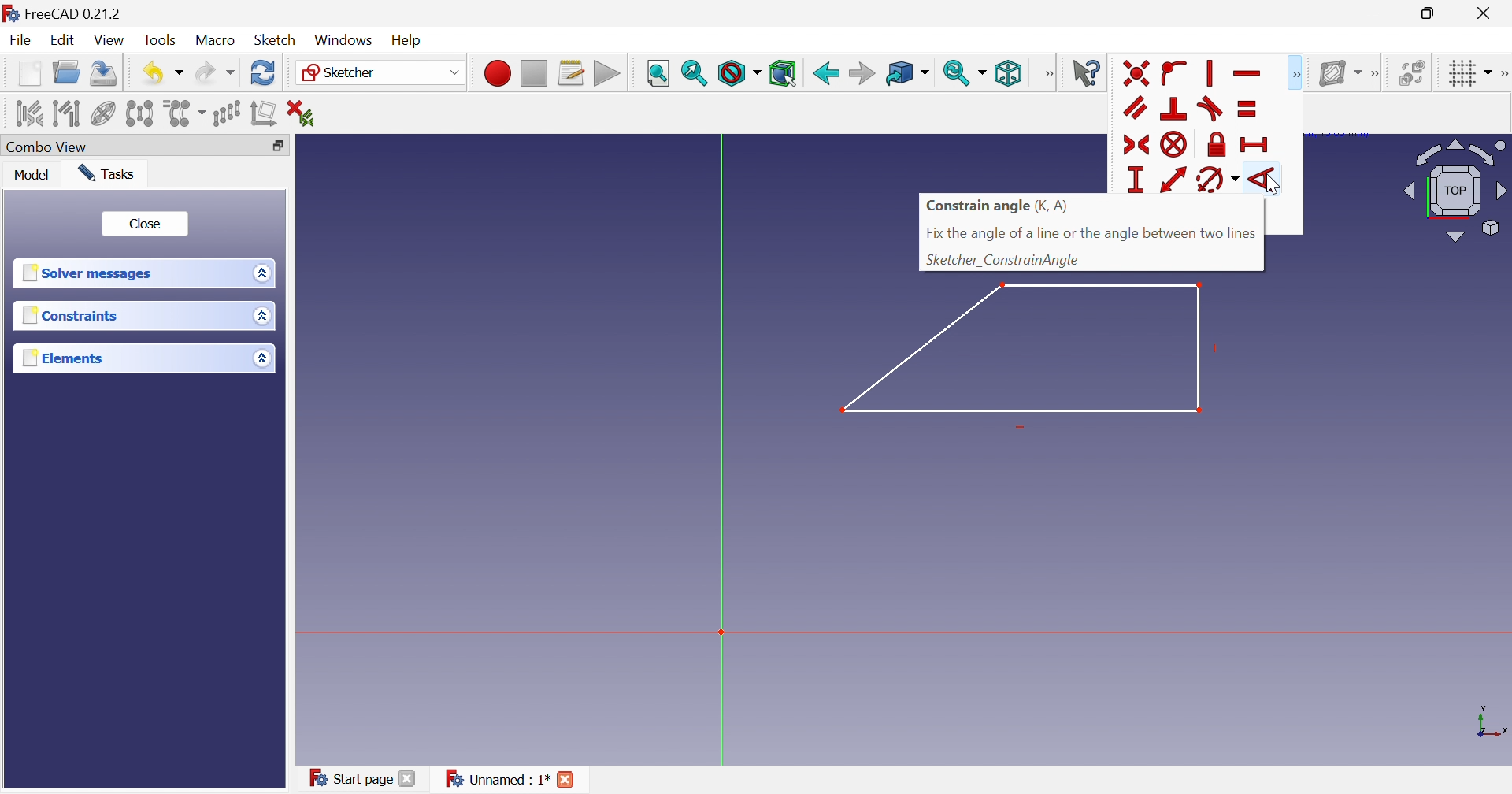 This screenshot has width=1512, height=794. Describe the element at coordinates (928, 73) in the screenshot. I see `Drop Down` at that location.